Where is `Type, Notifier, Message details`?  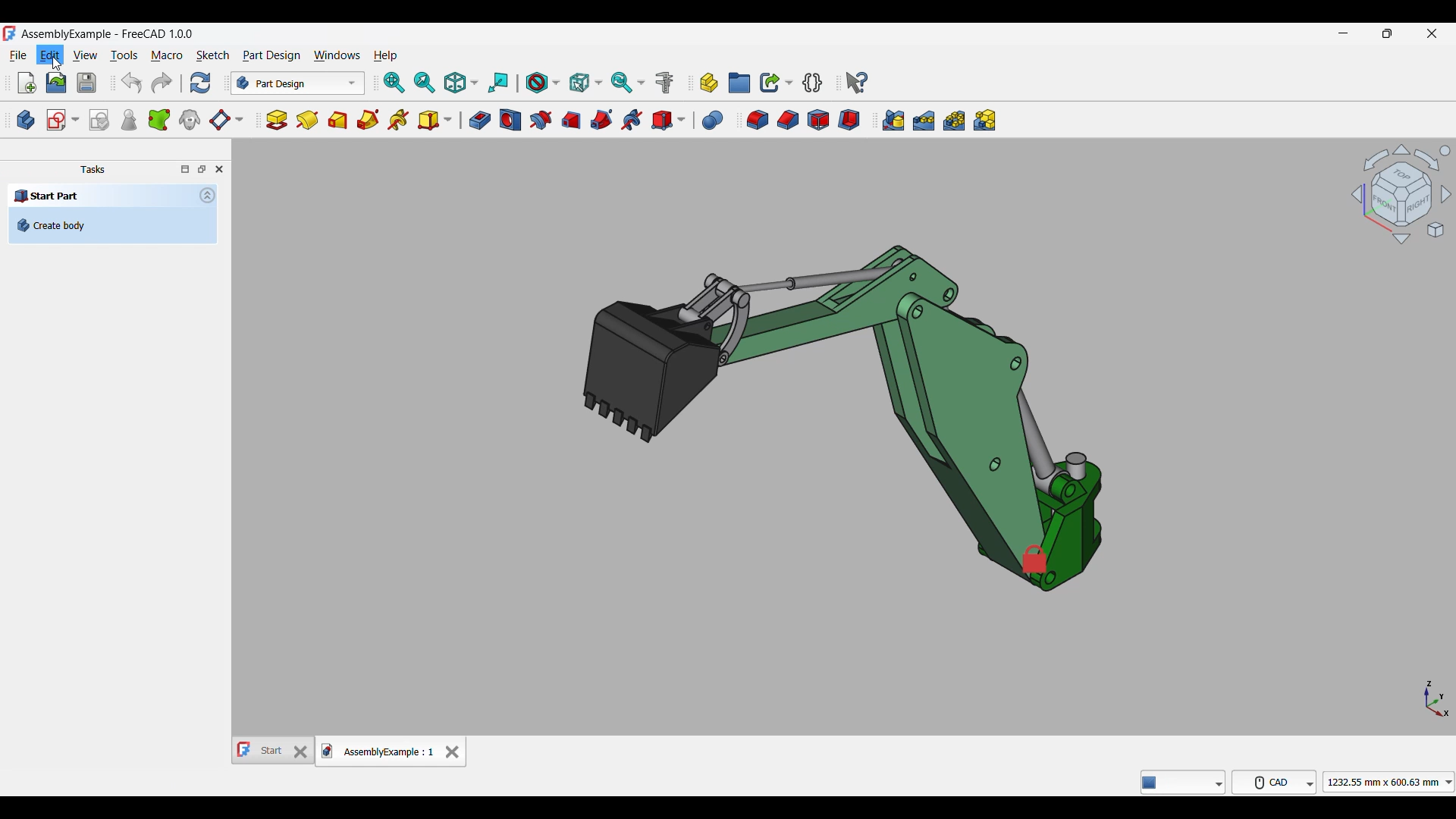
Type, Notifier, Message details is located at coordinates (1183, 782).